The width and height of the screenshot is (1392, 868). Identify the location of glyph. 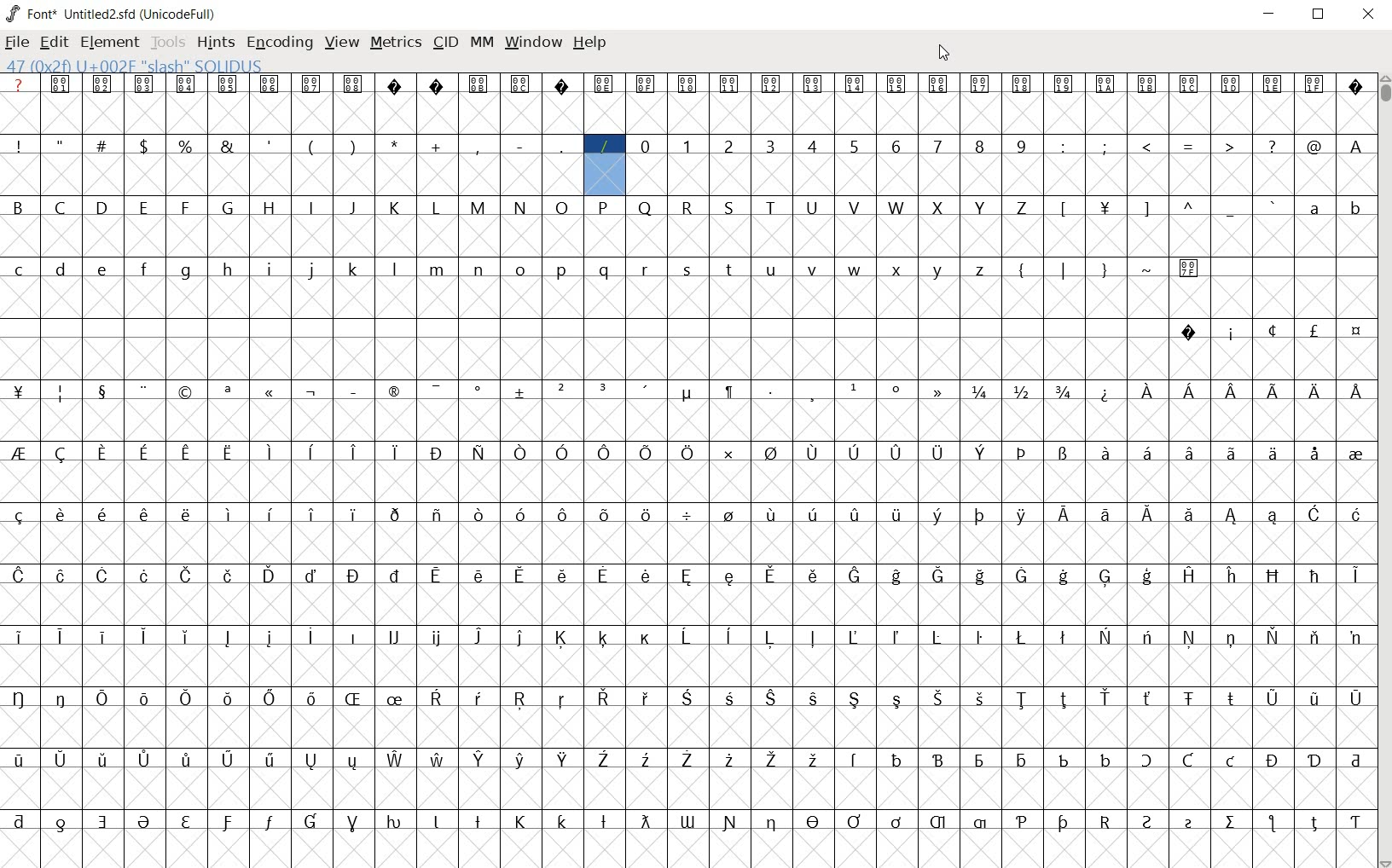
(1106, 578).